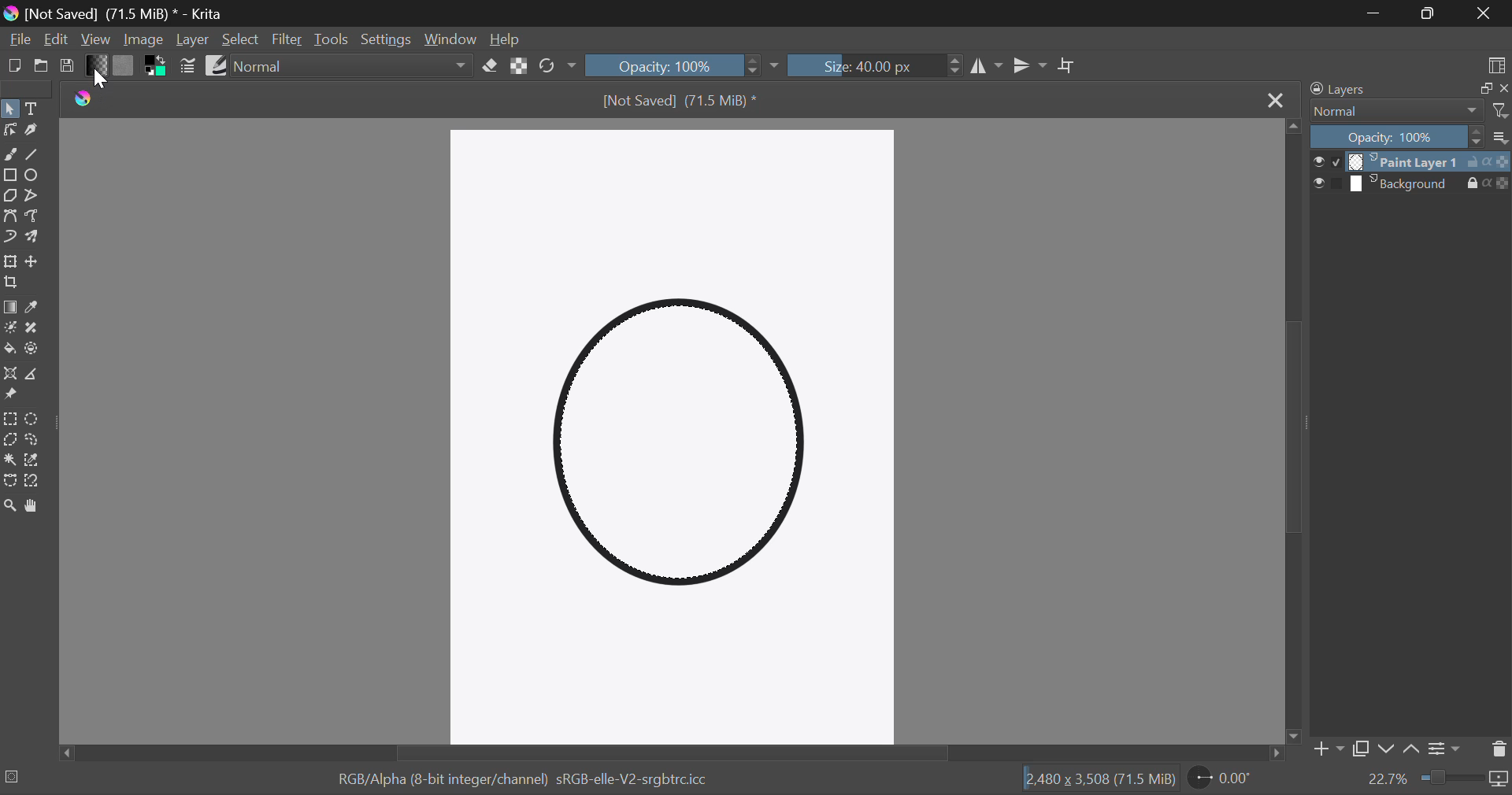 The width and height of the screenshot is (1512, 795). Describe the element at coordinates (1453, 776) in the screenshot. I see `zoom slider` at that location.